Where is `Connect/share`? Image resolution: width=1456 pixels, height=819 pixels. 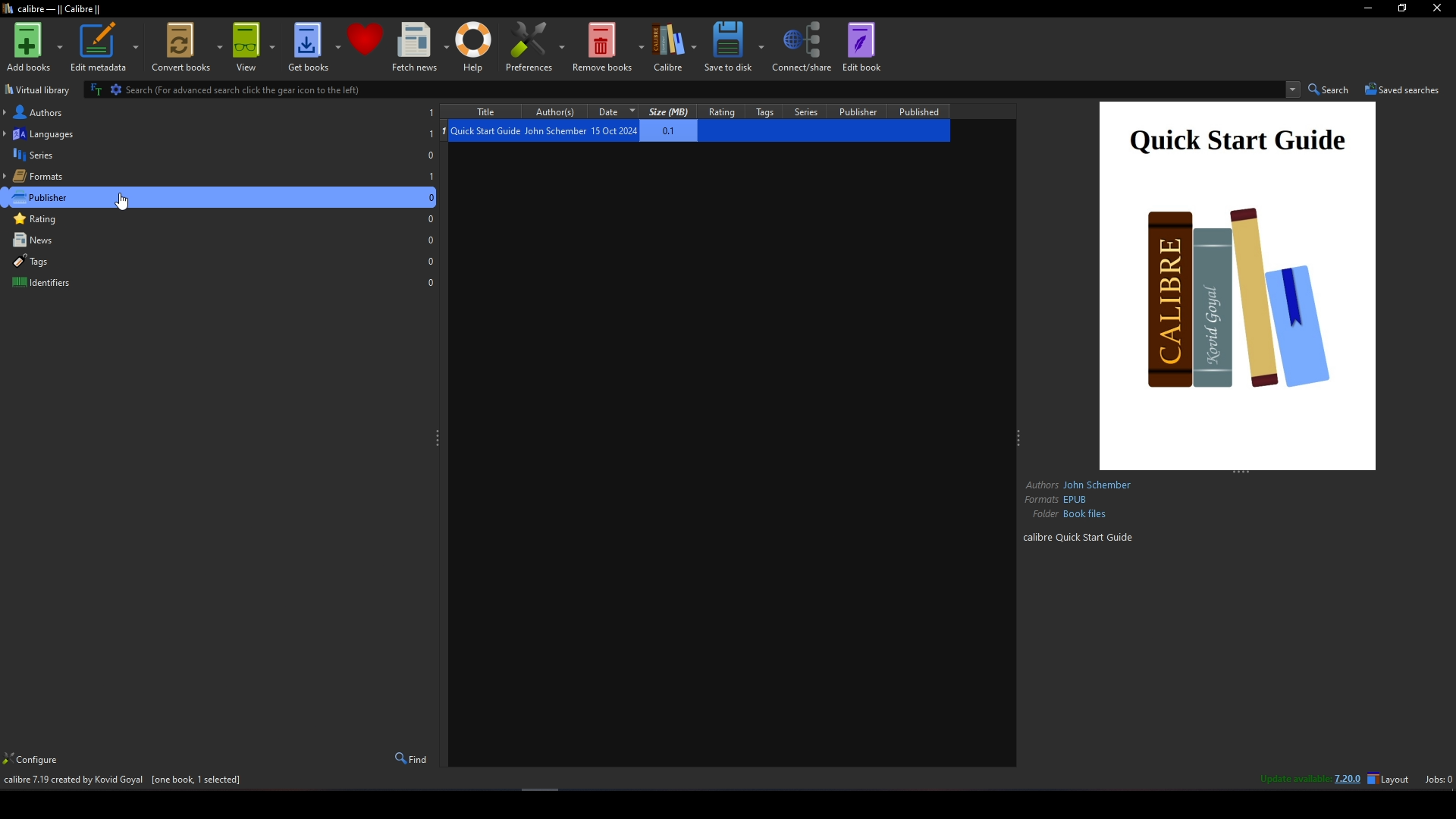 Connect/share is located at coordinates (803, 45).